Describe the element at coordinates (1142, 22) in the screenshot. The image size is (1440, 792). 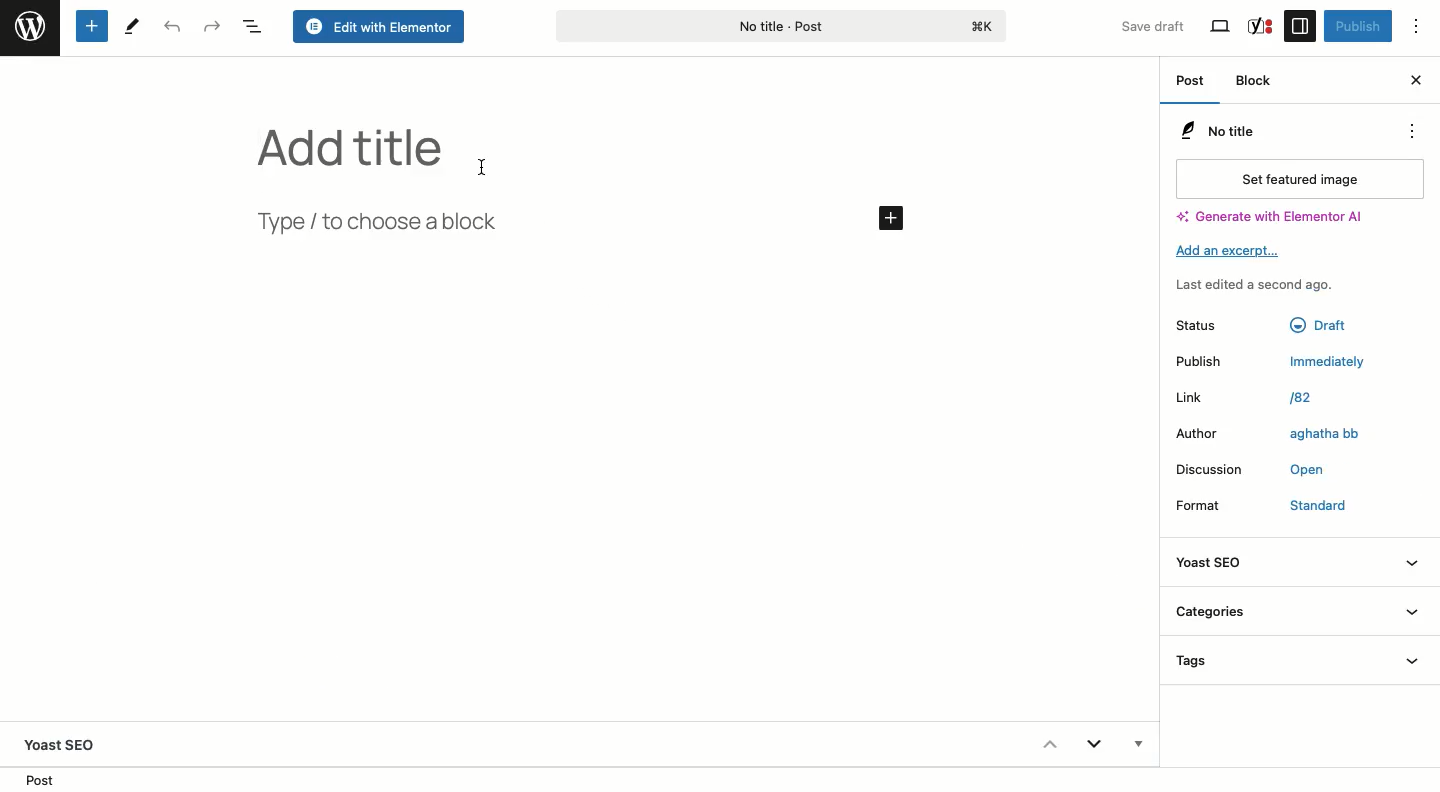
I see `Save draft` at that location.